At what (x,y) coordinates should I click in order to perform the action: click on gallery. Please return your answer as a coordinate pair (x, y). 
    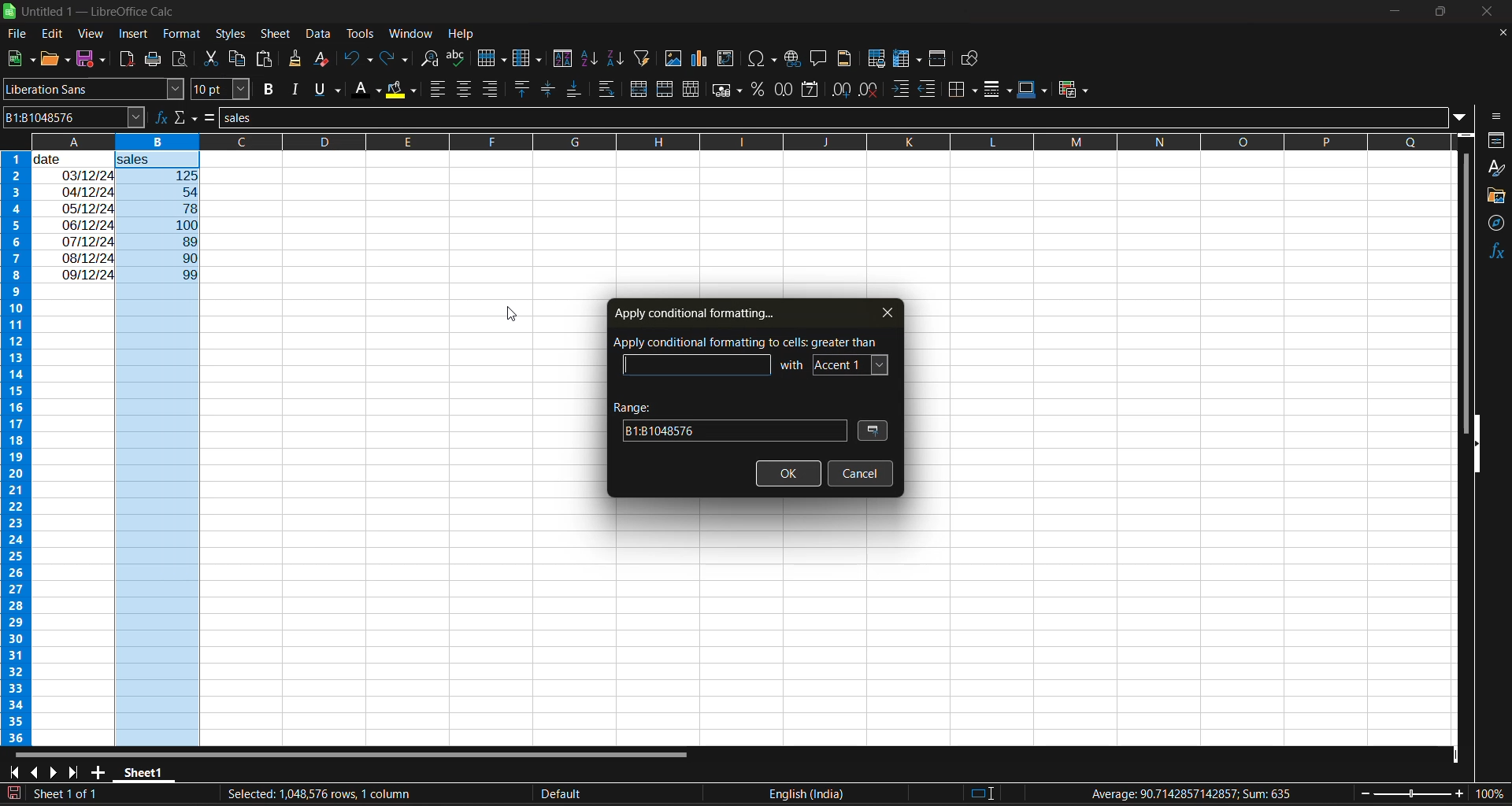
    Looking at the image, I should click on (1496, 196).